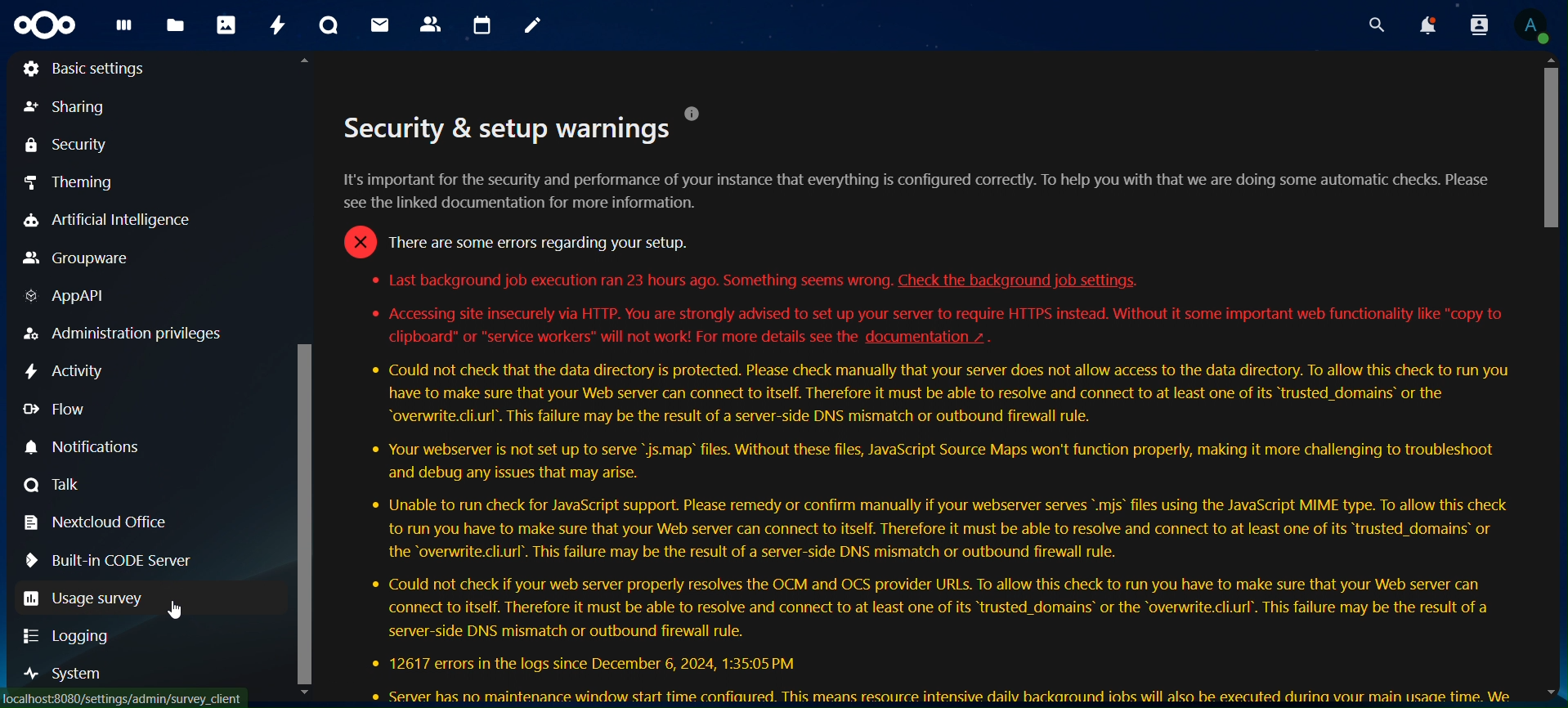 The image size is (1568, 708). What do you see at coordinates (226, 27) in the screenshot?
I see `photos` at bounding box center [226, 27].